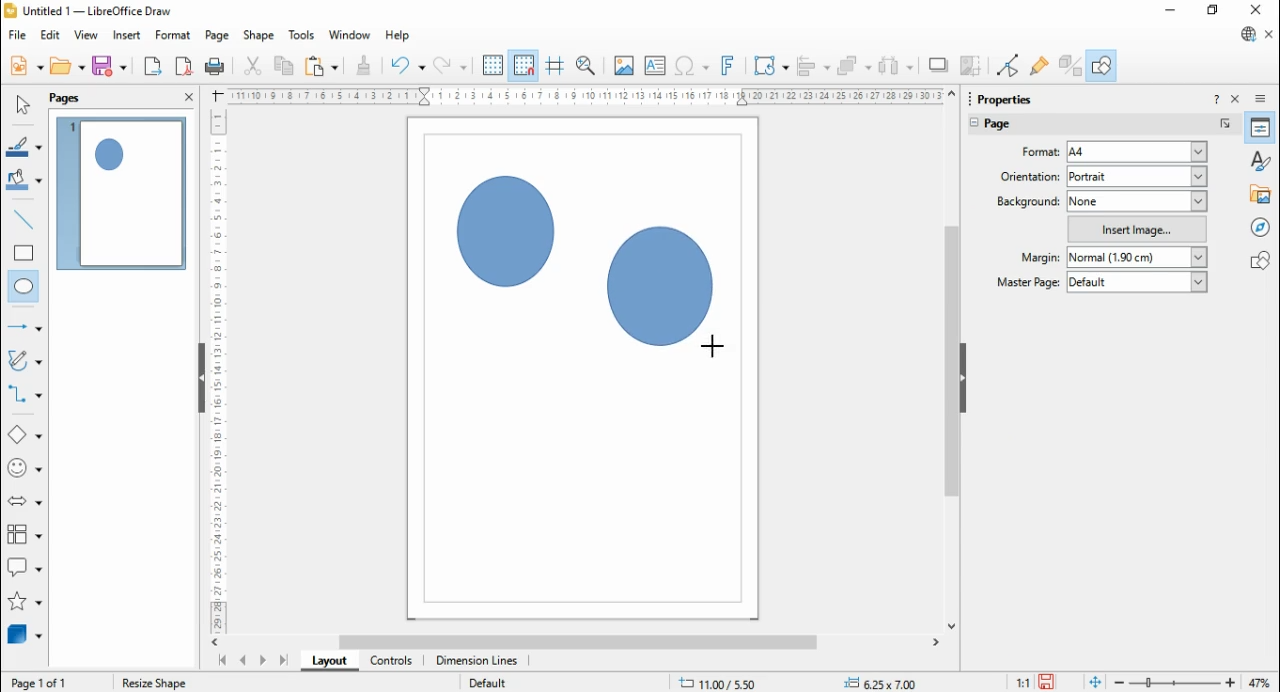 This screenshot has width=1280, height=692. I want to click on close document, so click(1270, 35).